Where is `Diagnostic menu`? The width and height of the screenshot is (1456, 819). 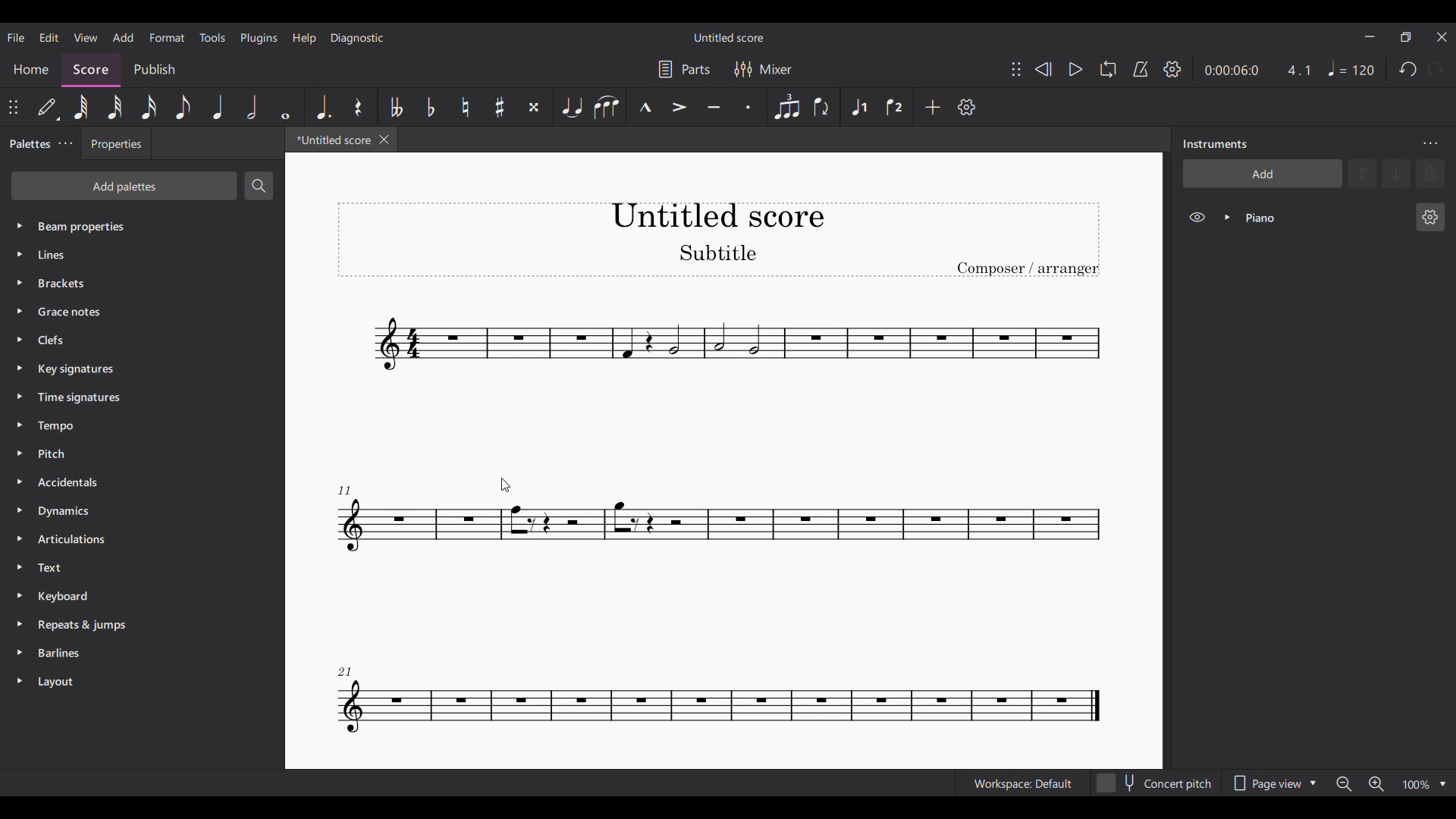
Diagnostic menu is located at coordinates (357, 37).